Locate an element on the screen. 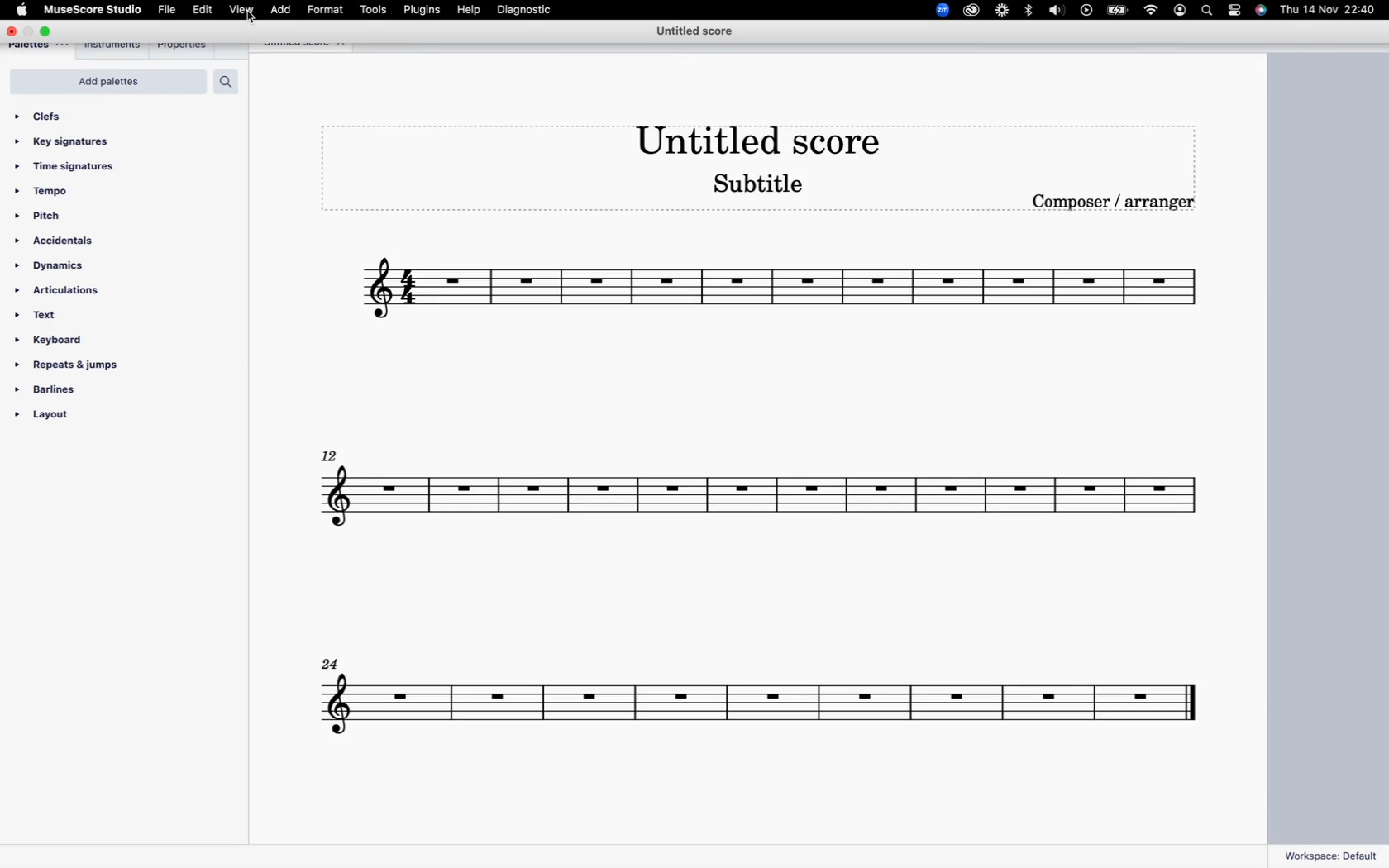  articulations is located at coordinates (66, 291).